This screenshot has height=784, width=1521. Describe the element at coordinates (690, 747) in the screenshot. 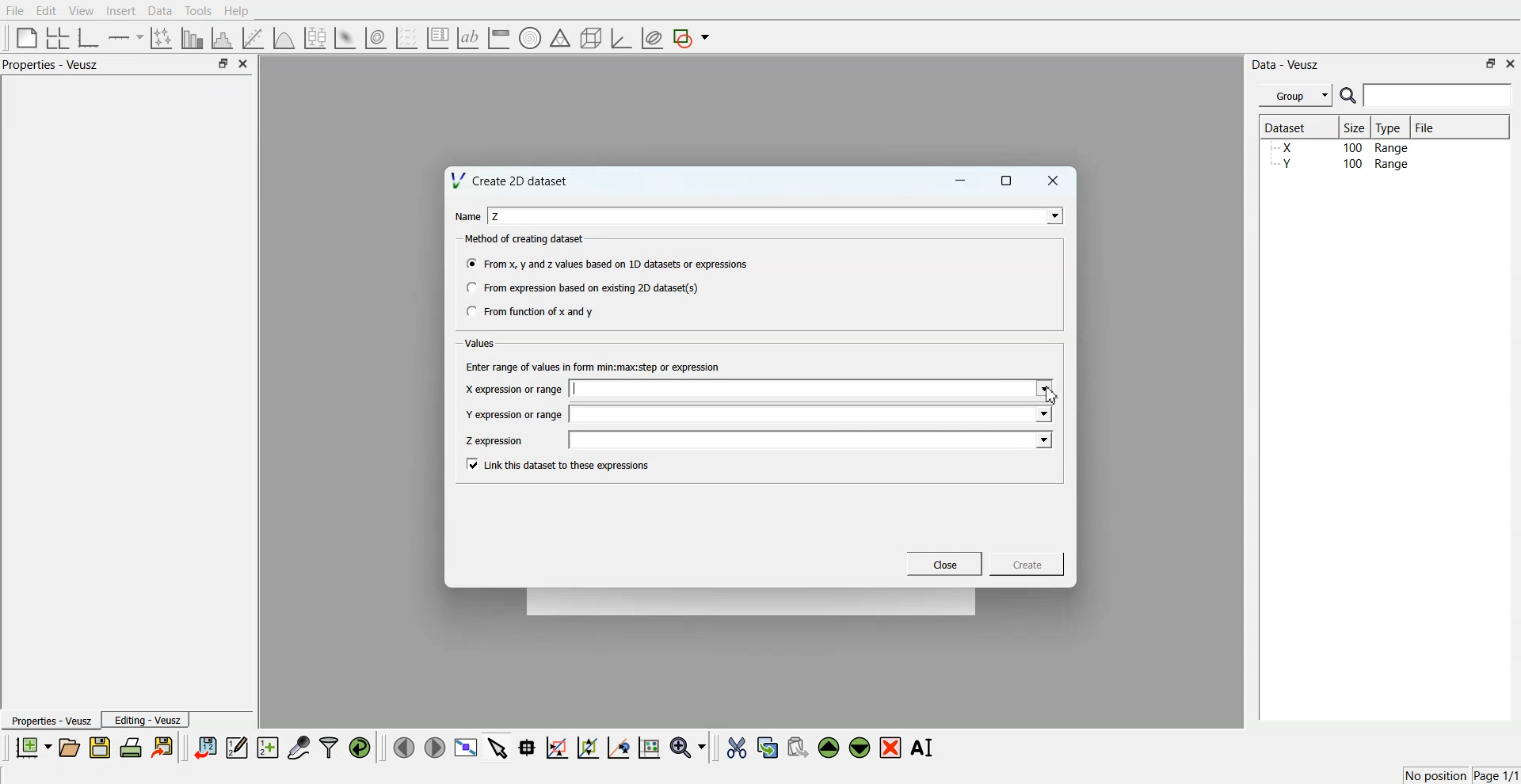

I see `Zoom function menu` at that location.